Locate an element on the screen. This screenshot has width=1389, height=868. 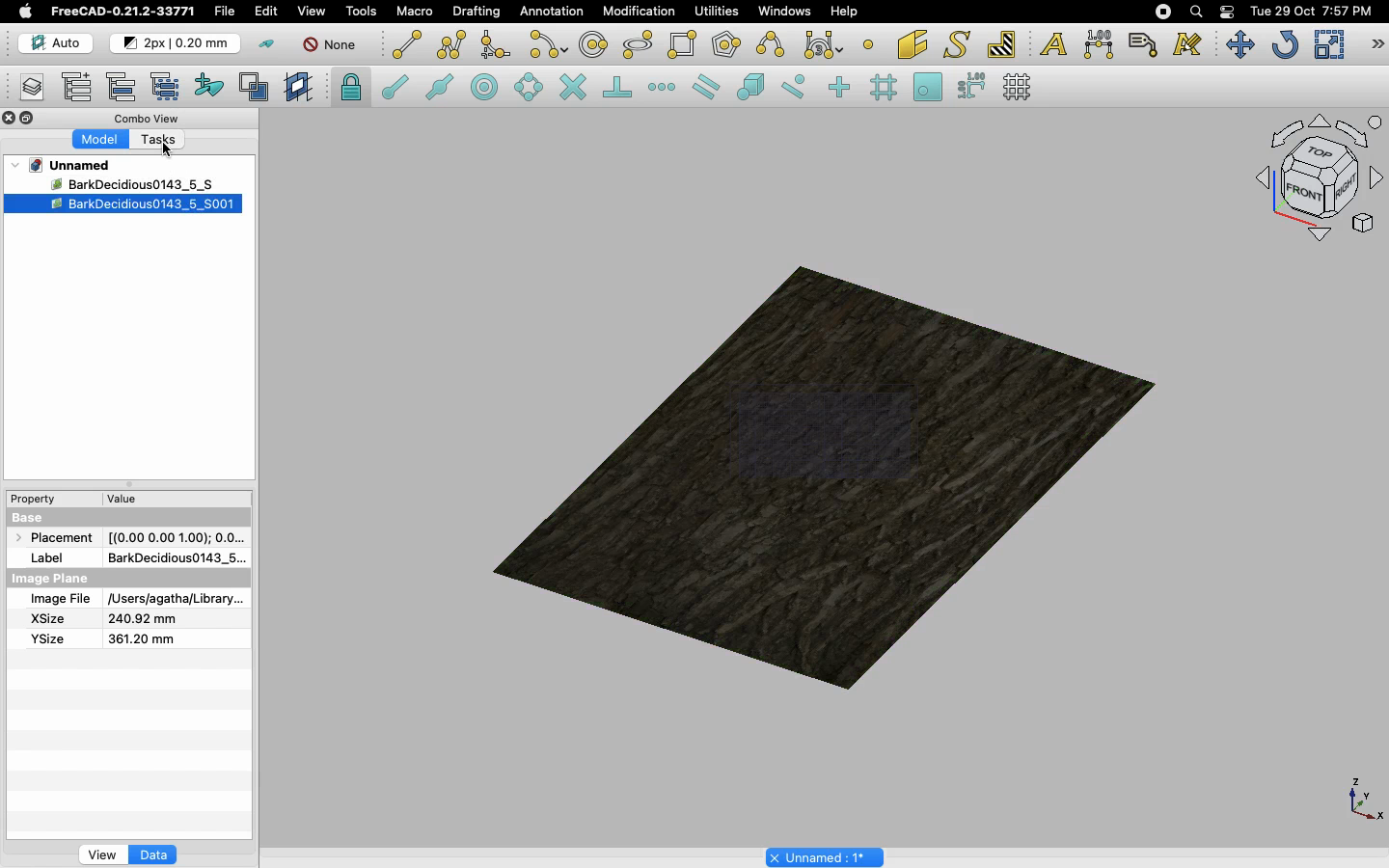
Property is located at coordinates (39, 499).